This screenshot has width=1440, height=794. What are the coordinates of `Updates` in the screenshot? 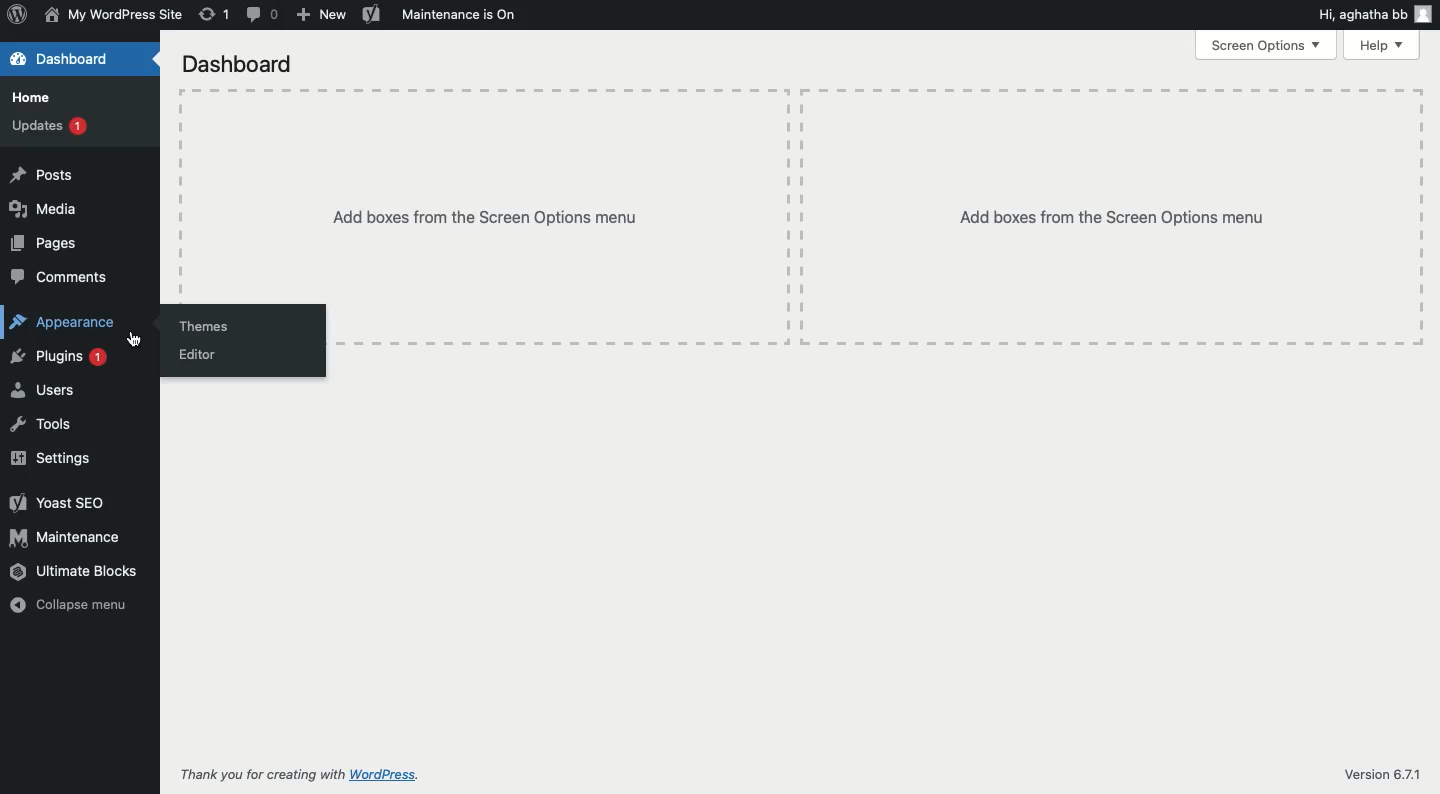 It's located at (52, 124).